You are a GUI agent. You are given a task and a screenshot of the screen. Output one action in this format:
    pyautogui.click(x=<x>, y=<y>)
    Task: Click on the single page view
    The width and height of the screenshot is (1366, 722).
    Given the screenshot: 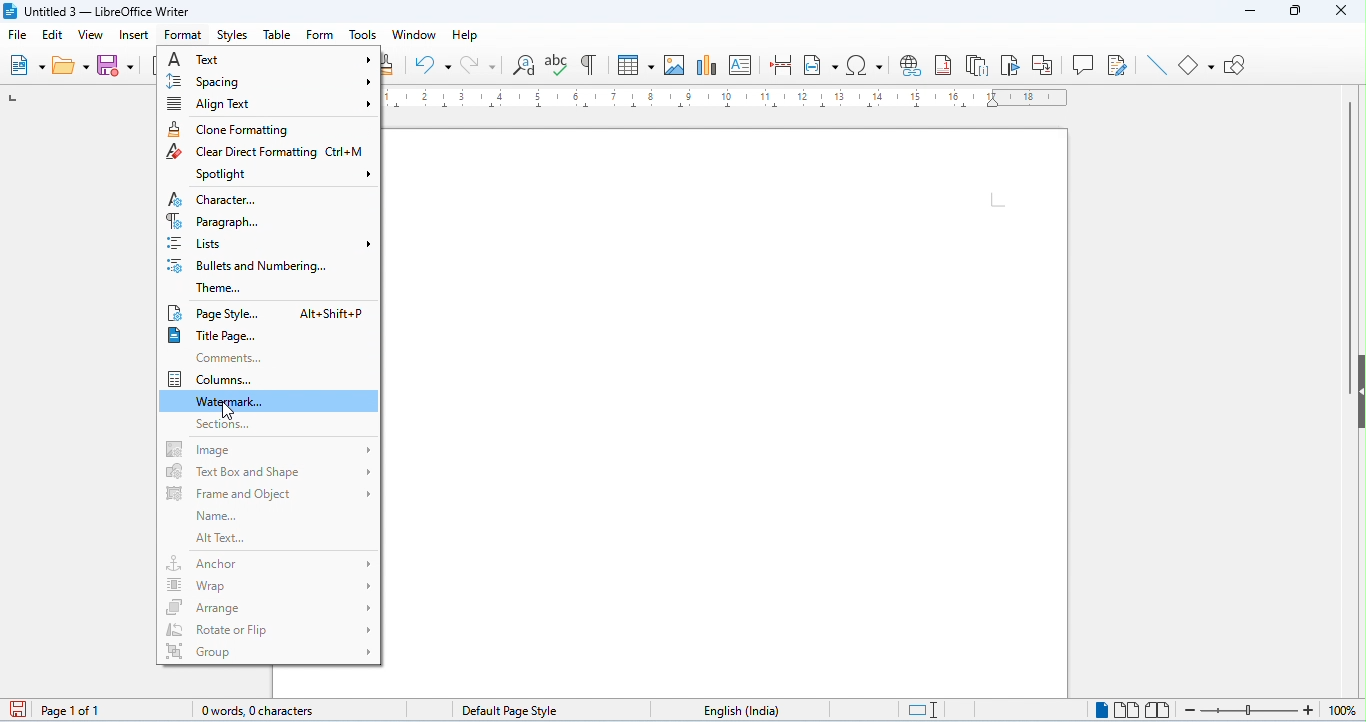 What is the action you would take?
    pyautogui.click(x=1101, y=710)
    